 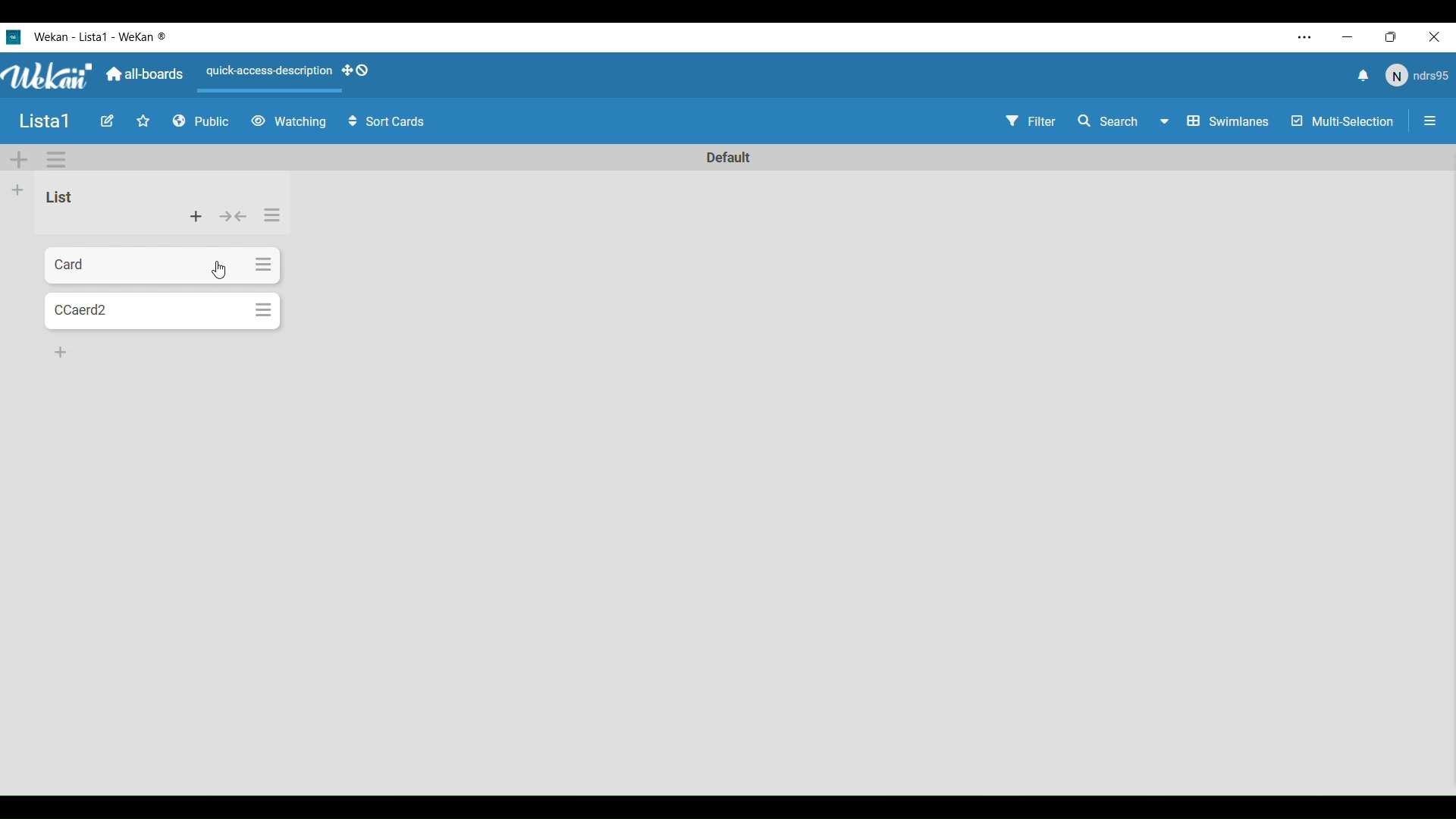 I want to click on Swimlines, so click(x=1230, y=121).